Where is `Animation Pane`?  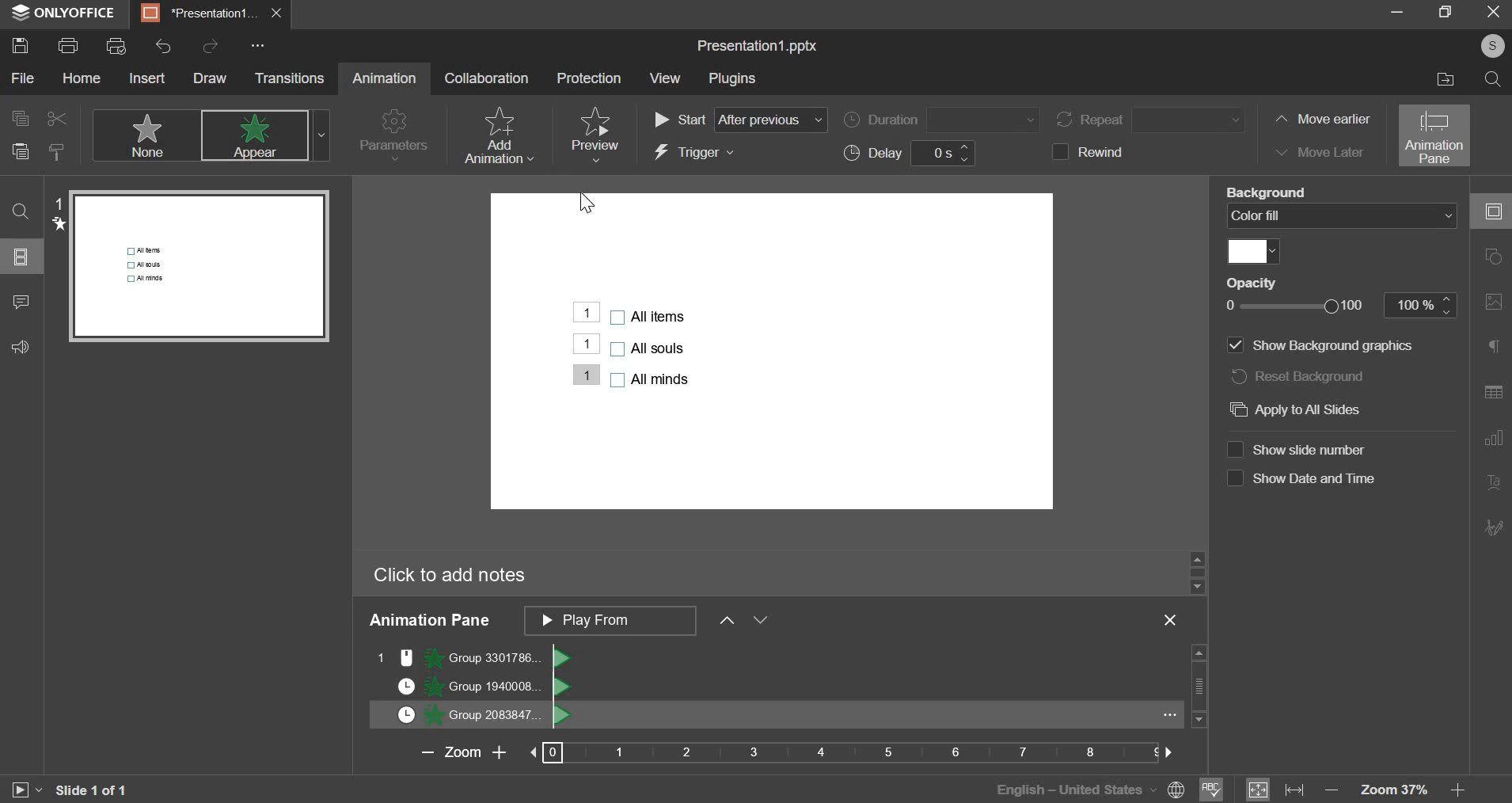 Animation Pane is located at coordinates (430, 620).